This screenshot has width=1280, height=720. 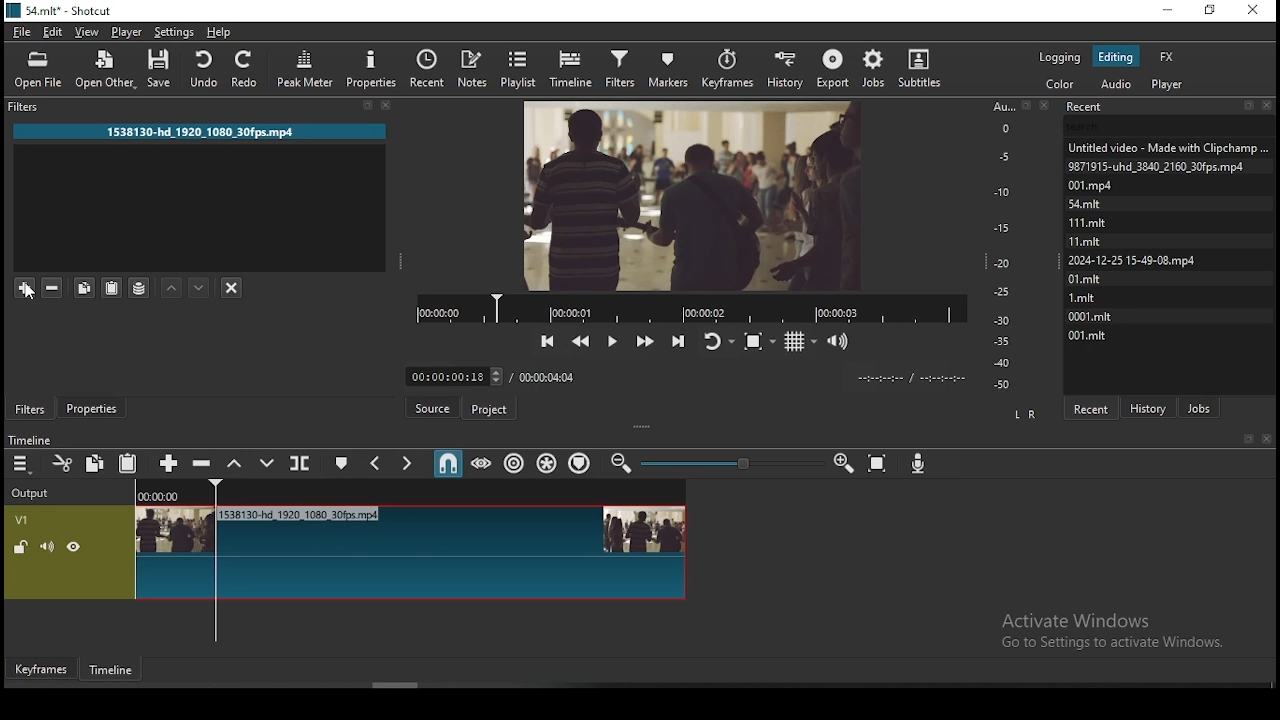 What do you see at coordinates (41, 670) in the screenshot?
I see `keyframe` at bounding box center [41, 670].